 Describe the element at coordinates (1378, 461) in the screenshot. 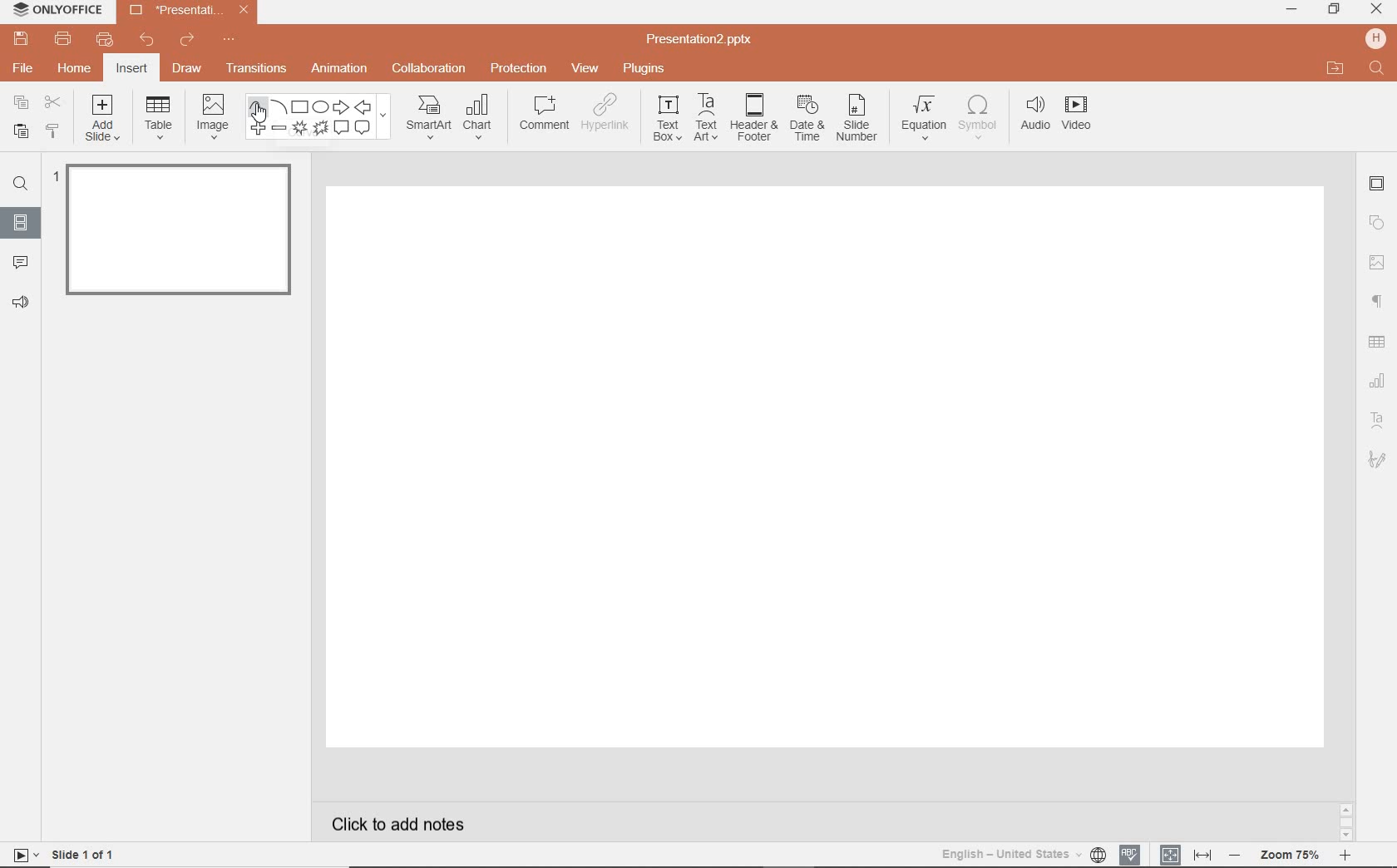

I see `SIGNATURE` at that location.